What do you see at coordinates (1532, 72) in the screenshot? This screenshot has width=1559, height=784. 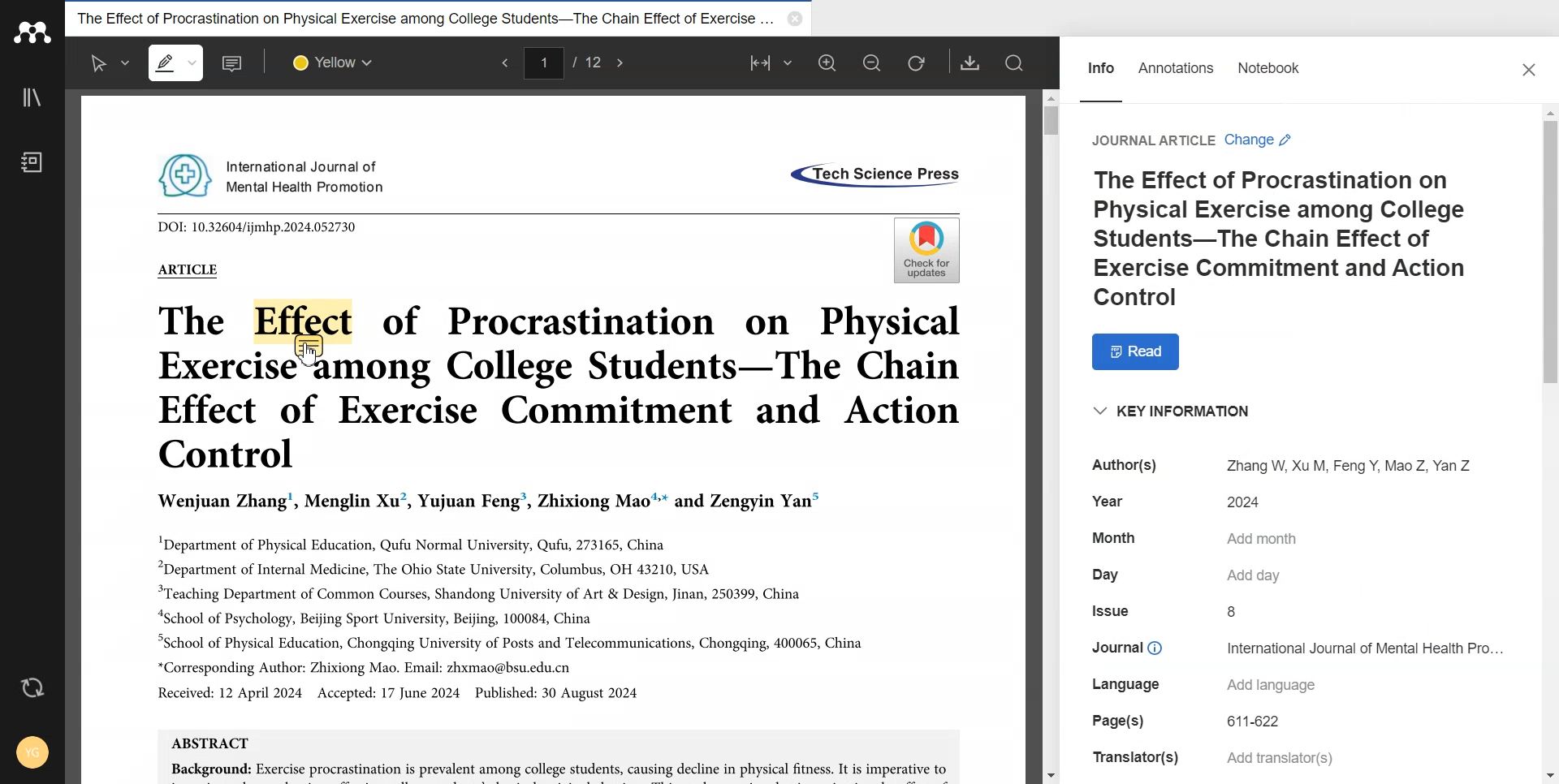 I see `Close` at bounding box center [1532, 72].